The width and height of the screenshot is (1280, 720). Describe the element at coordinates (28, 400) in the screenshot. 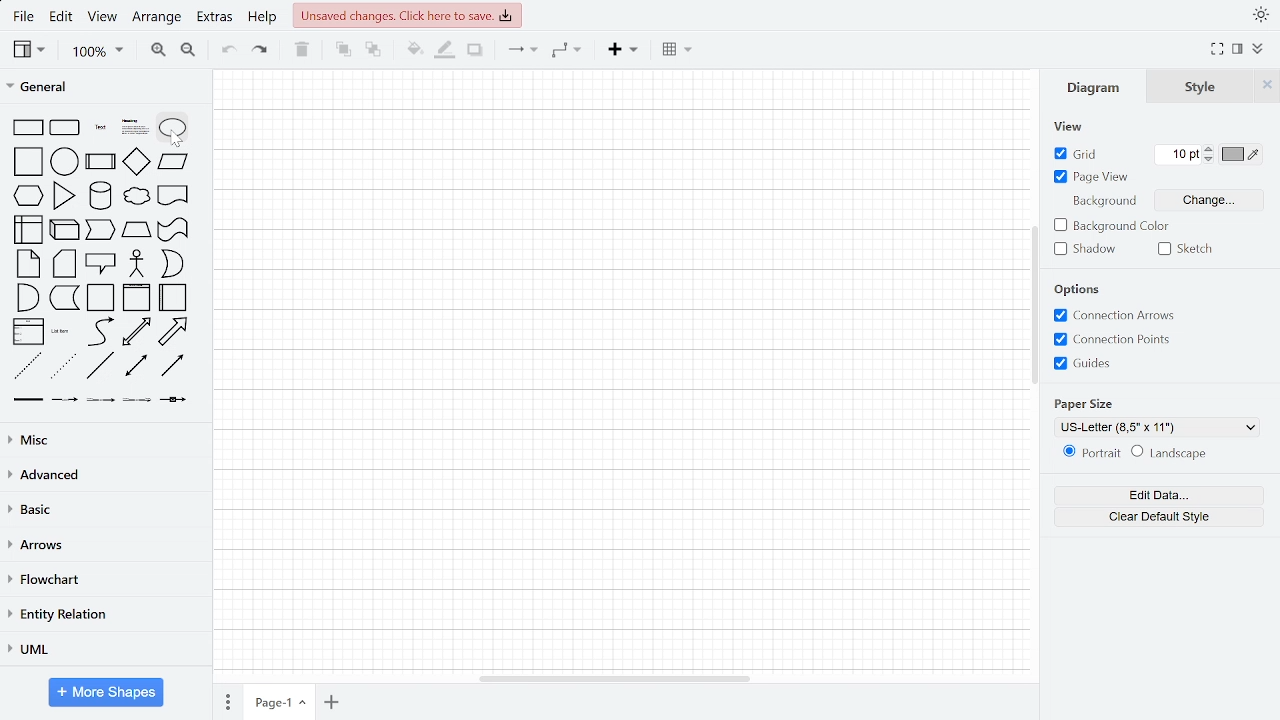

I see `link` at that location.